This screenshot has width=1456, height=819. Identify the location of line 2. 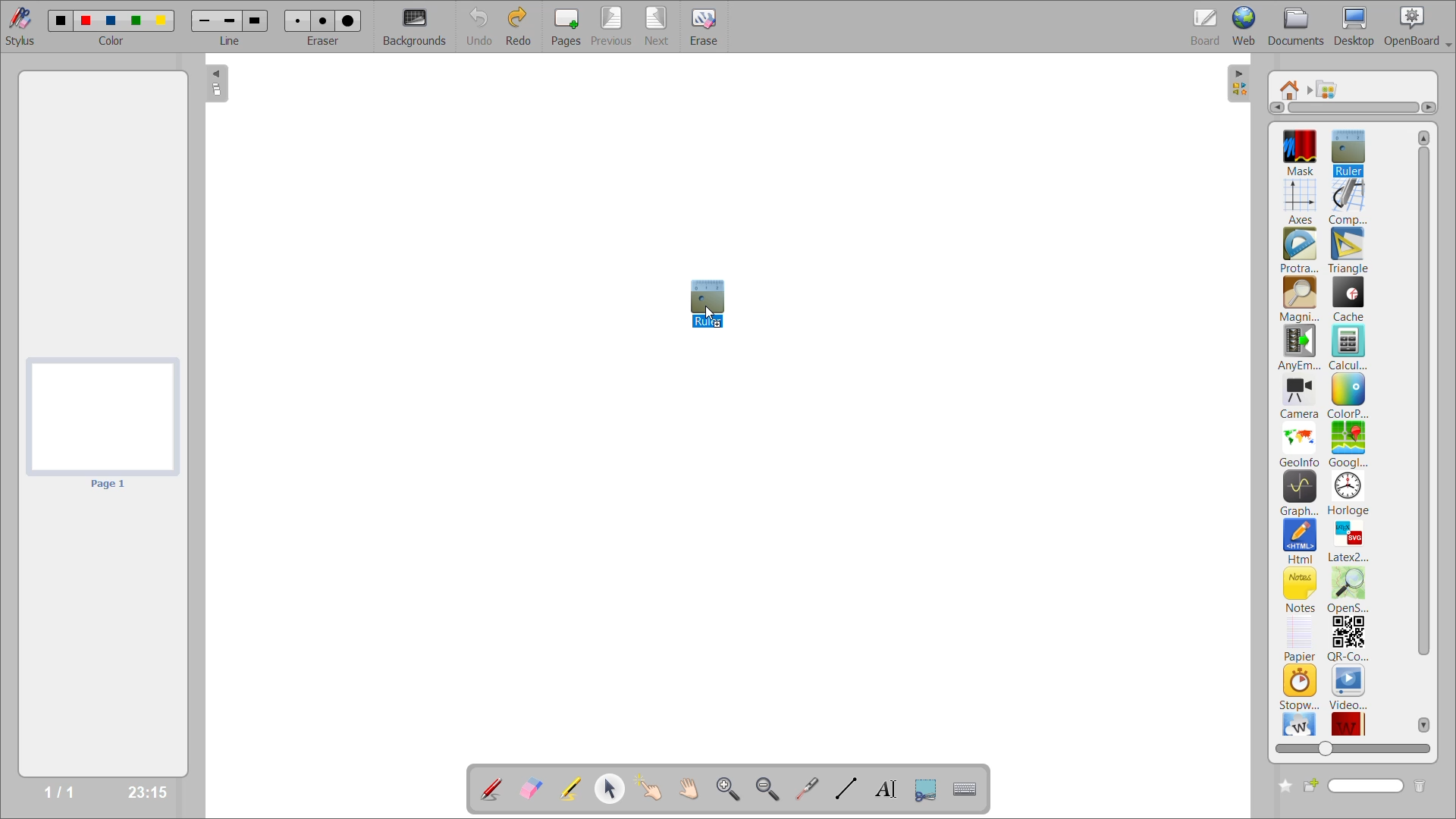
(228, 20).